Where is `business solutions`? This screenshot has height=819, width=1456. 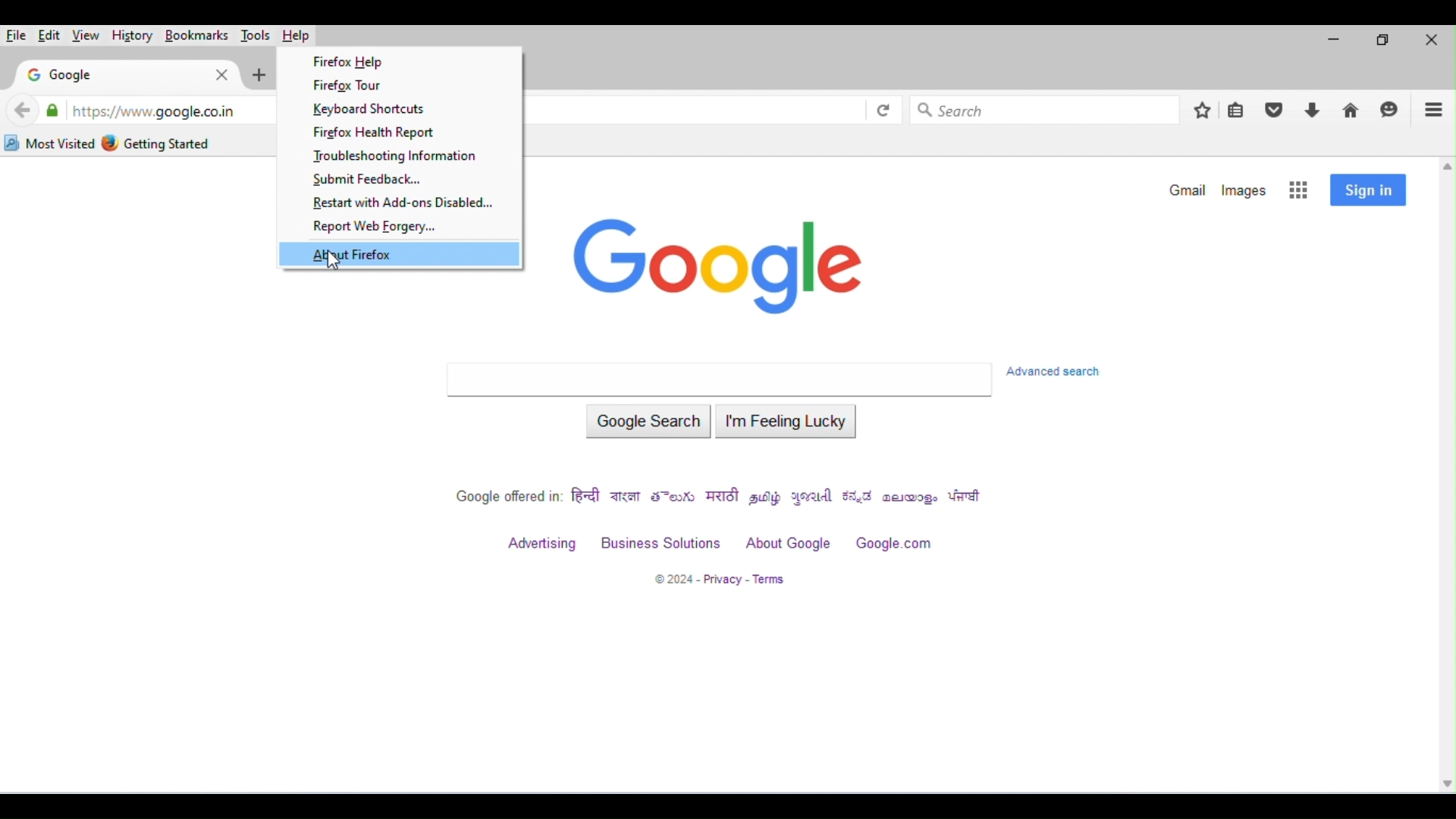
business solutions is located at coordinates (660, 544).